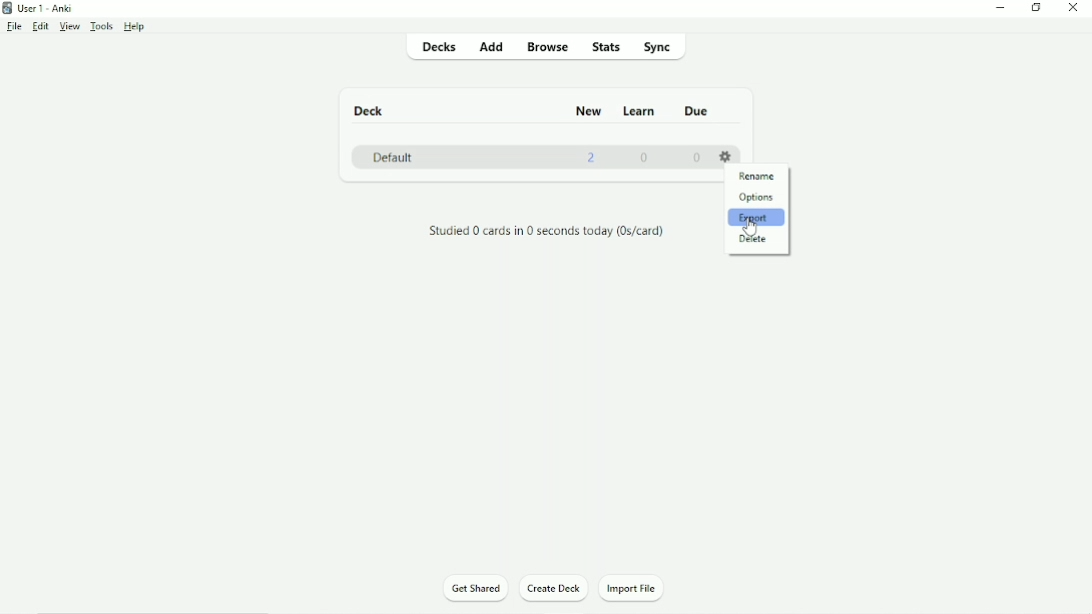 The height and width of the screenshot is (614, 1092). Describe the element at coordinates (643, 159) in the screenshot. I see `0` at that location.